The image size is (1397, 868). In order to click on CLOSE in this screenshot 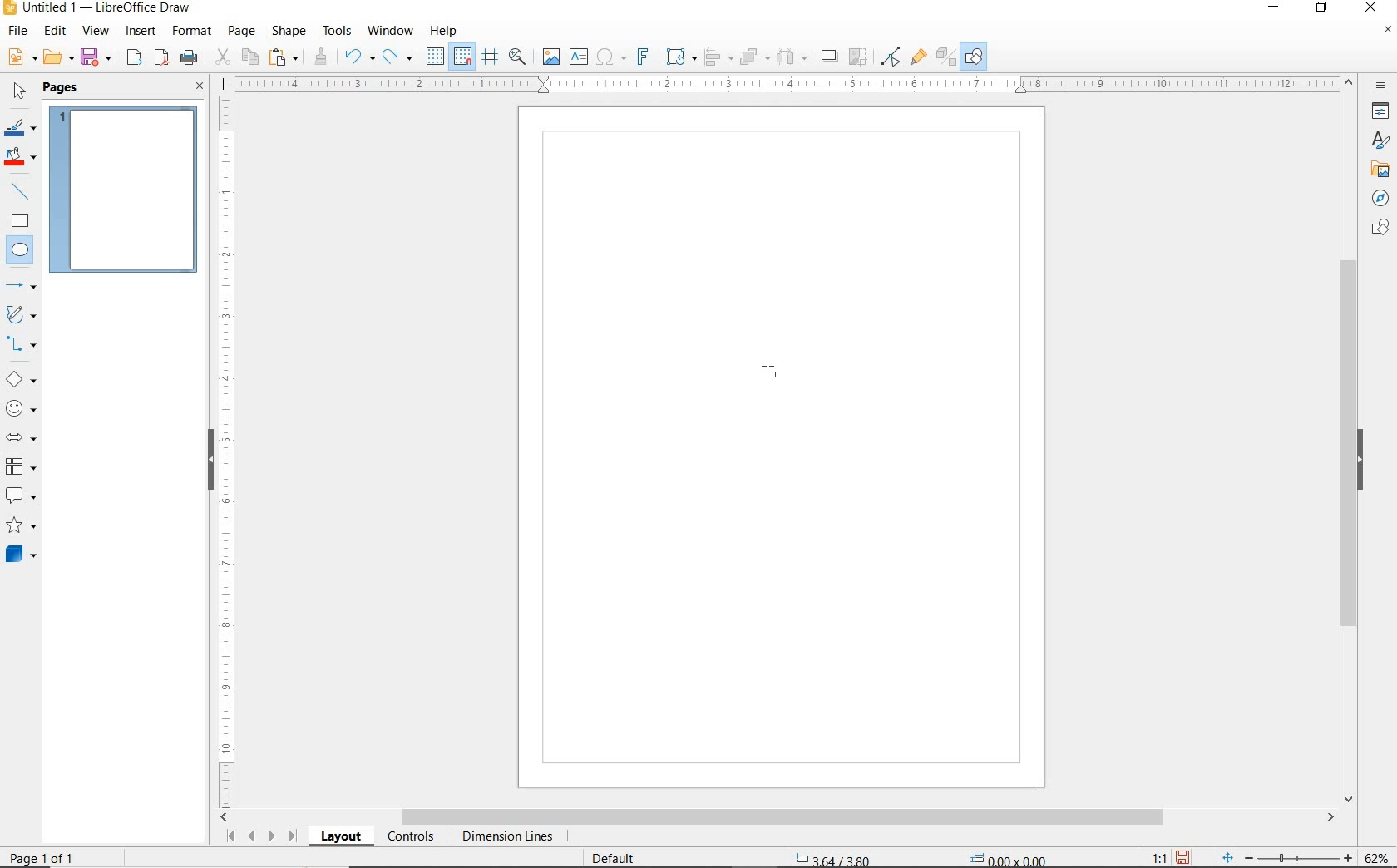, I will do `click(1370, 6)`.